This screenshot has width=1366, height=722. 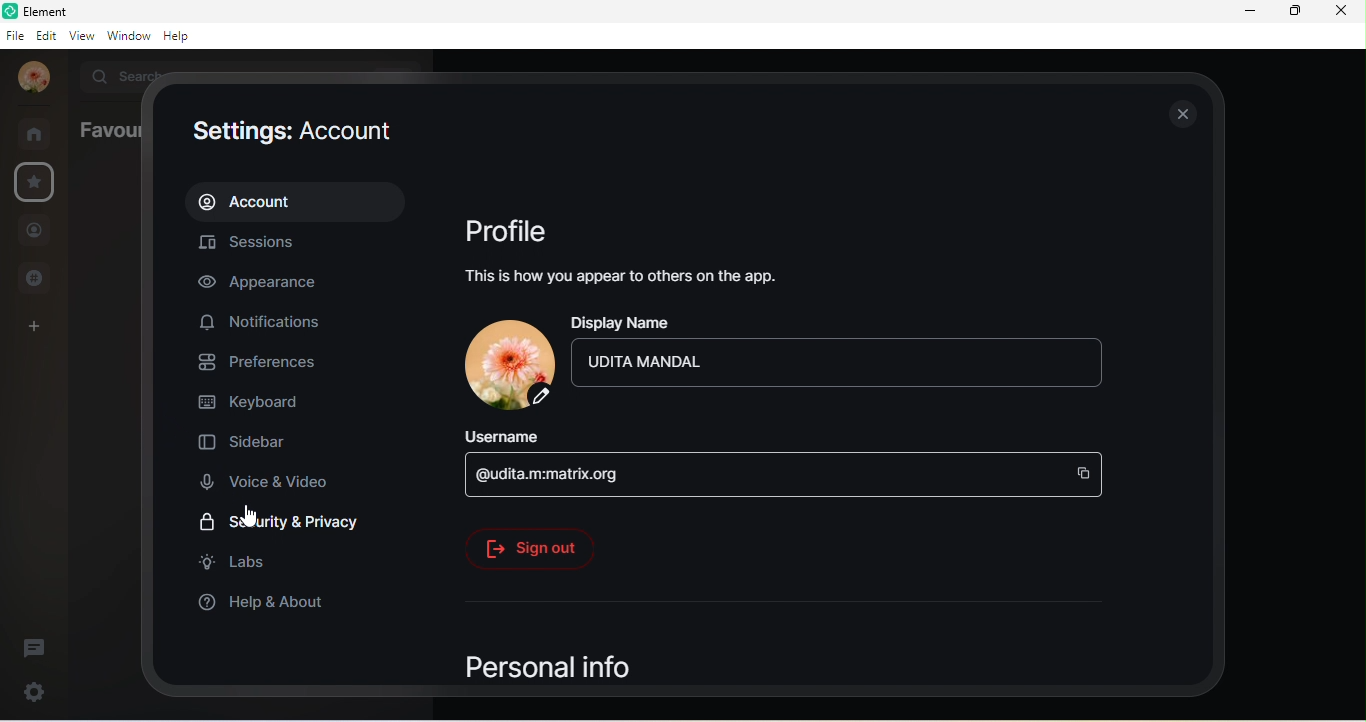 I want to click on preferences, so click(x=263, y=360).